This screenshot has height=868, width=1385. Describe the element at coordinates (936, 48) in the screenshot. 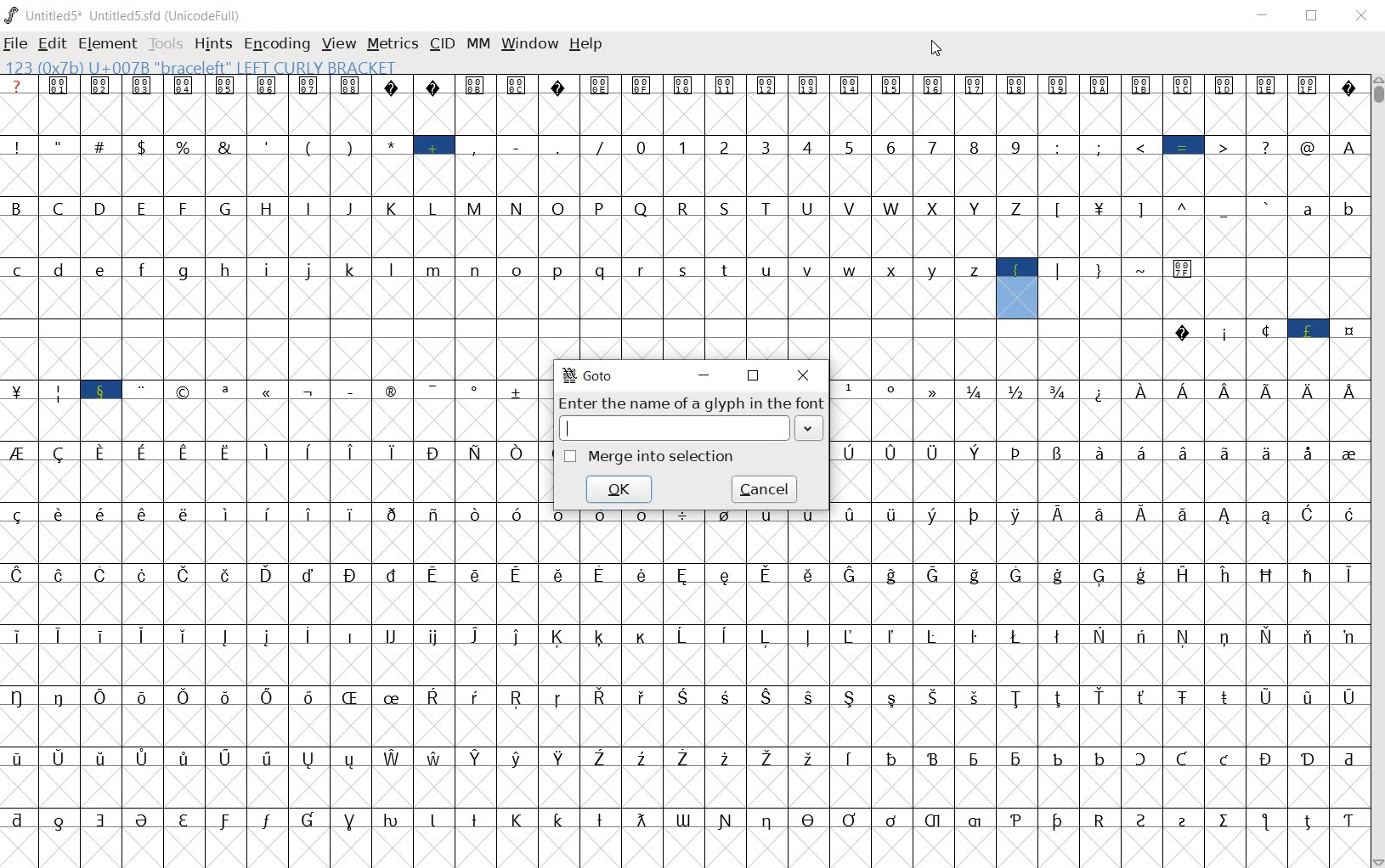

I see `CURSOR` at that location.